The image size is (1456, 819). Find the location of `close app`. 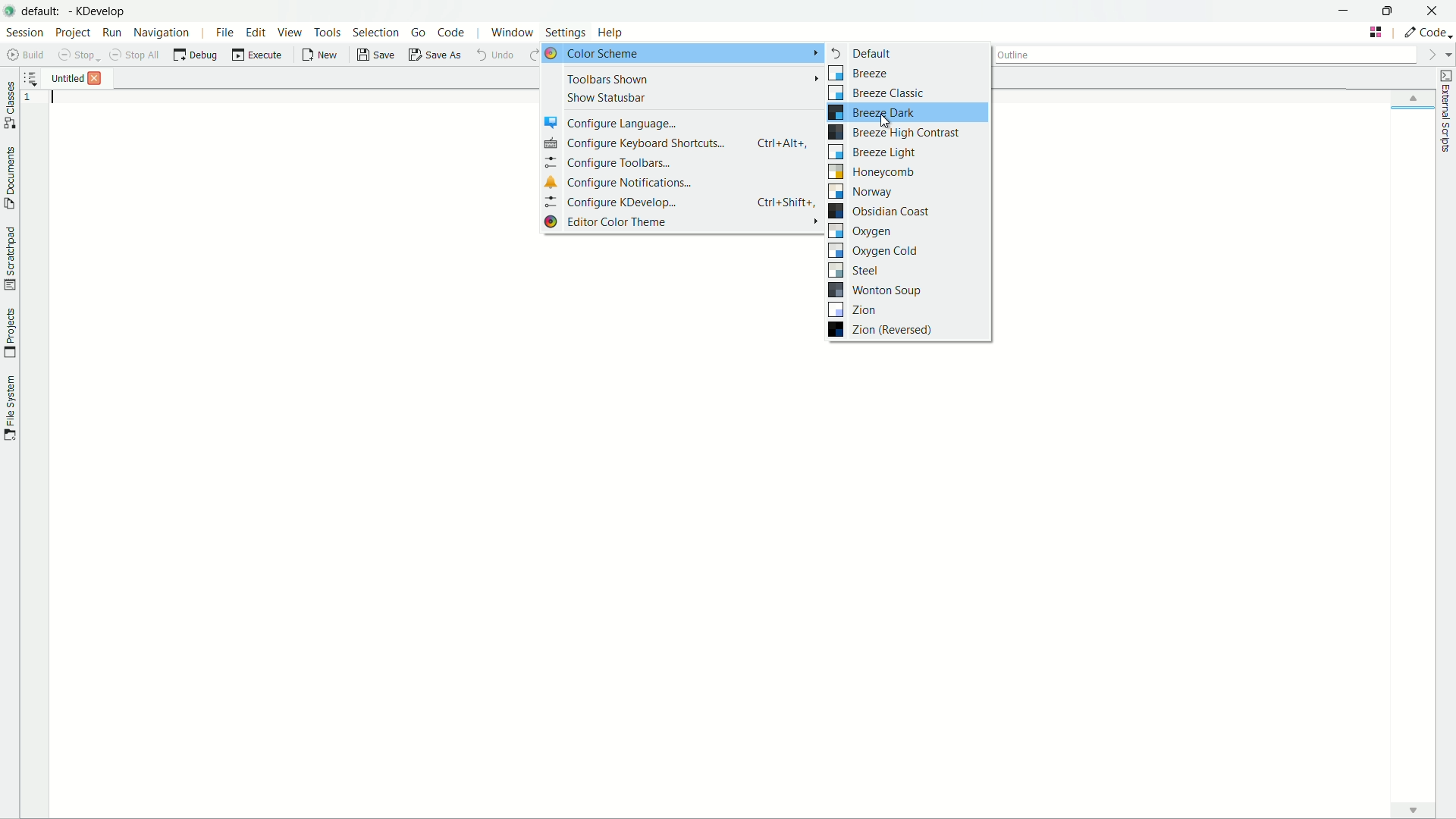

close app is located at coordinates (1432, 11).